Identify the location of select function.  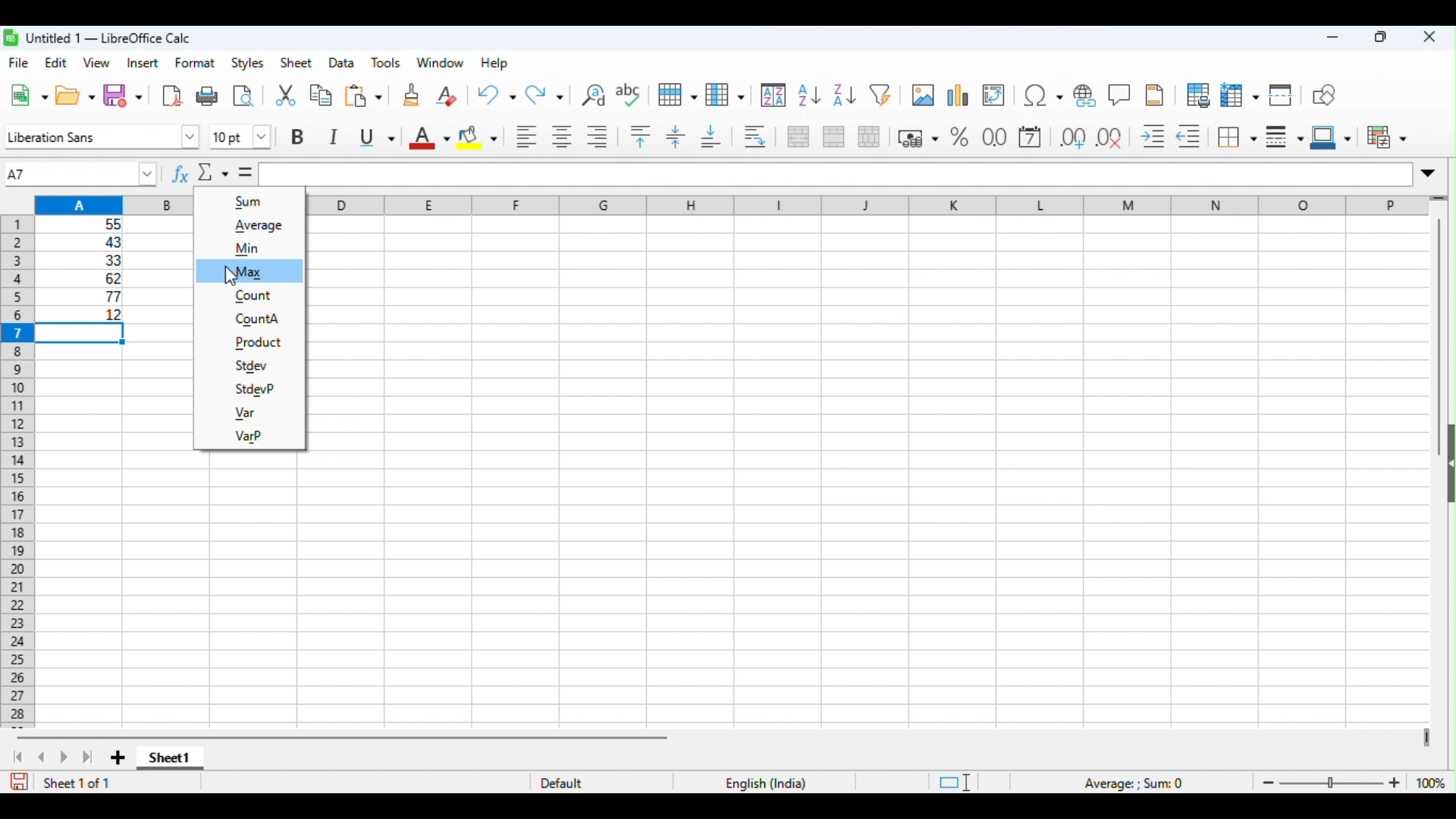
(214, 174).